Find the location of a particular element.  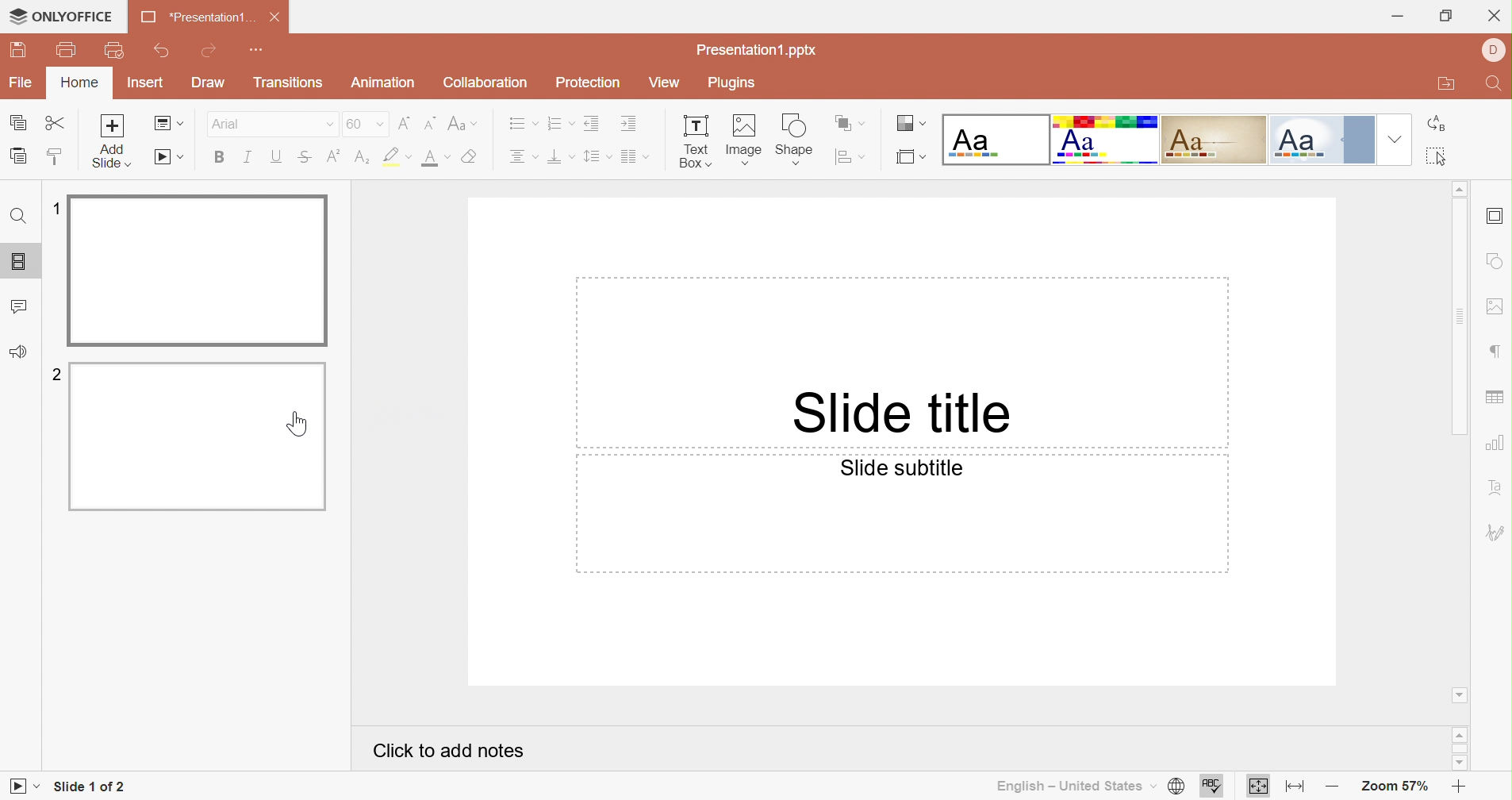

View is located at coordinates (663, 83).